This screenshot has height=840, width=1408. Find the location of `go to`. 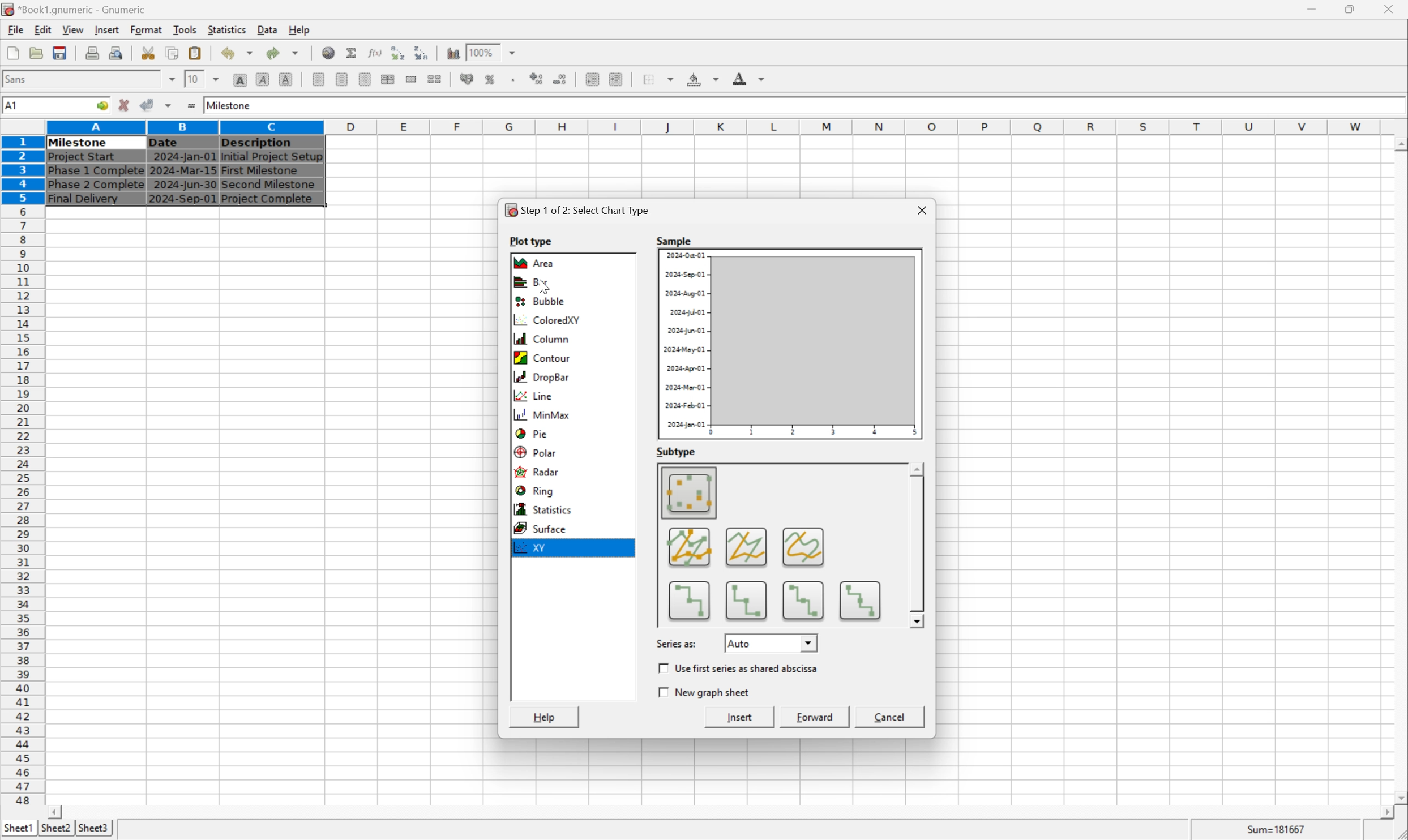

go to is located at coordinates (100, 106).